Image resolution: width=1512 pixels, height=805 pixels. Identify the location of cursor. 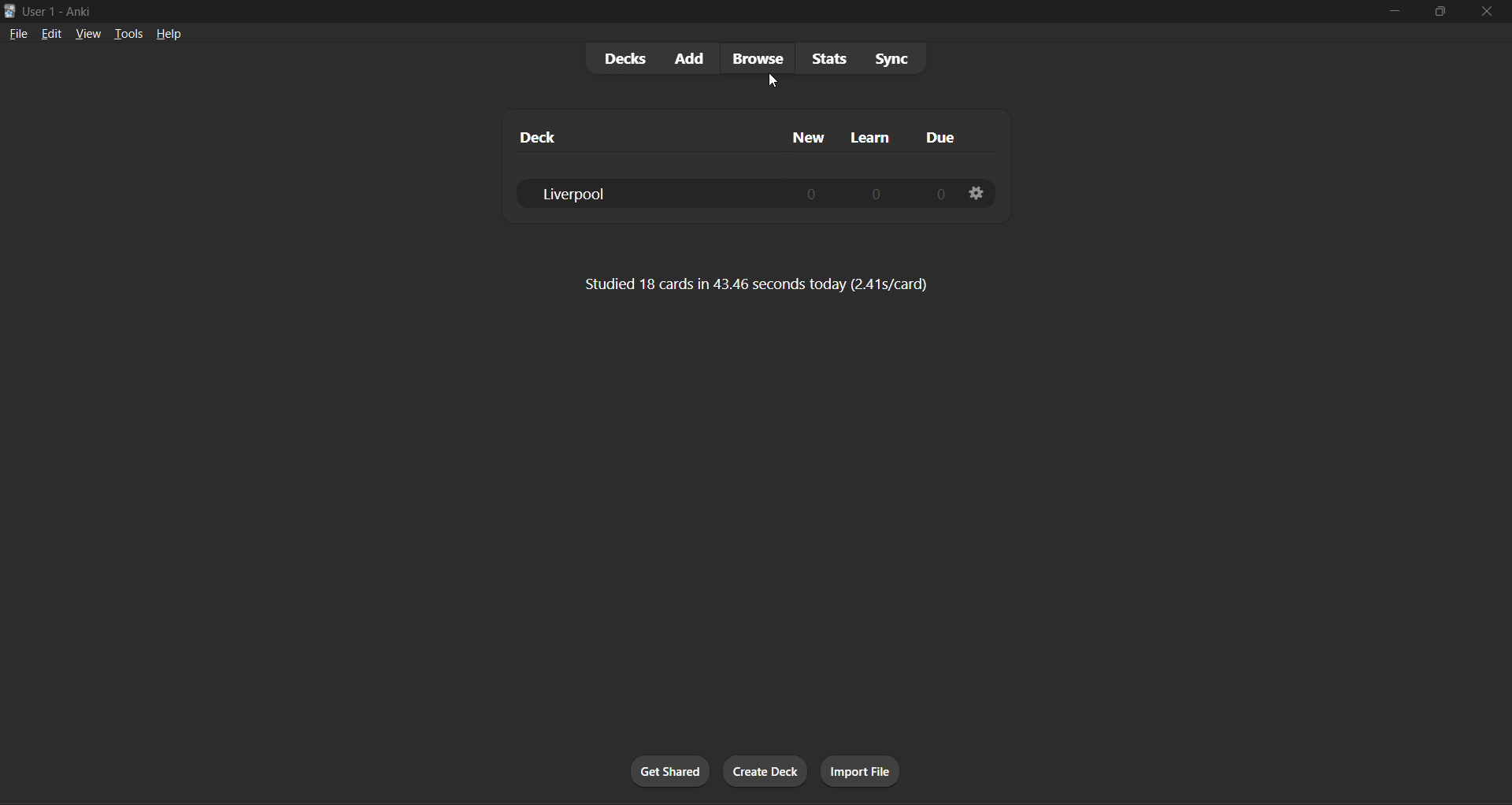
(775, 78).